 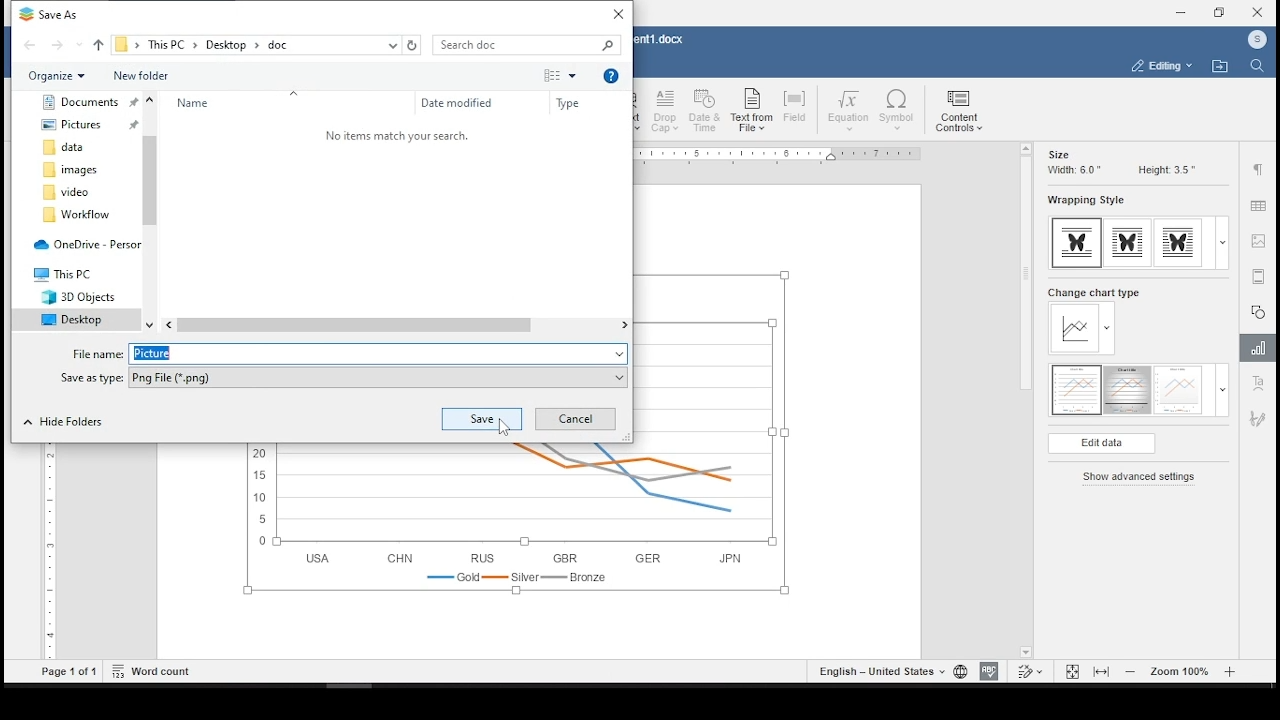 I want to click on set text language, so click(x=880, y=671).